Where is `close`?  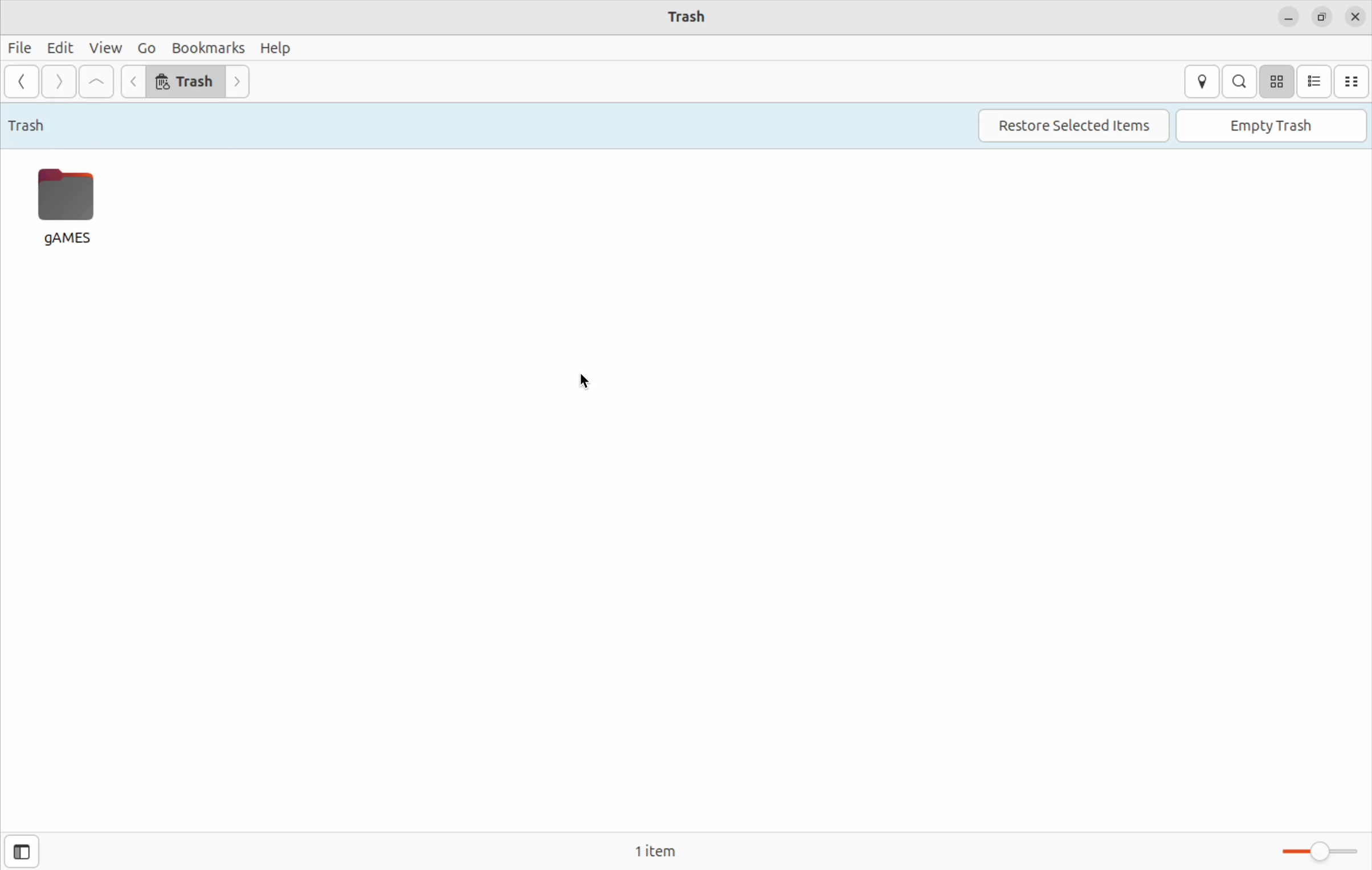
close is located at coordinates (1356, 16).